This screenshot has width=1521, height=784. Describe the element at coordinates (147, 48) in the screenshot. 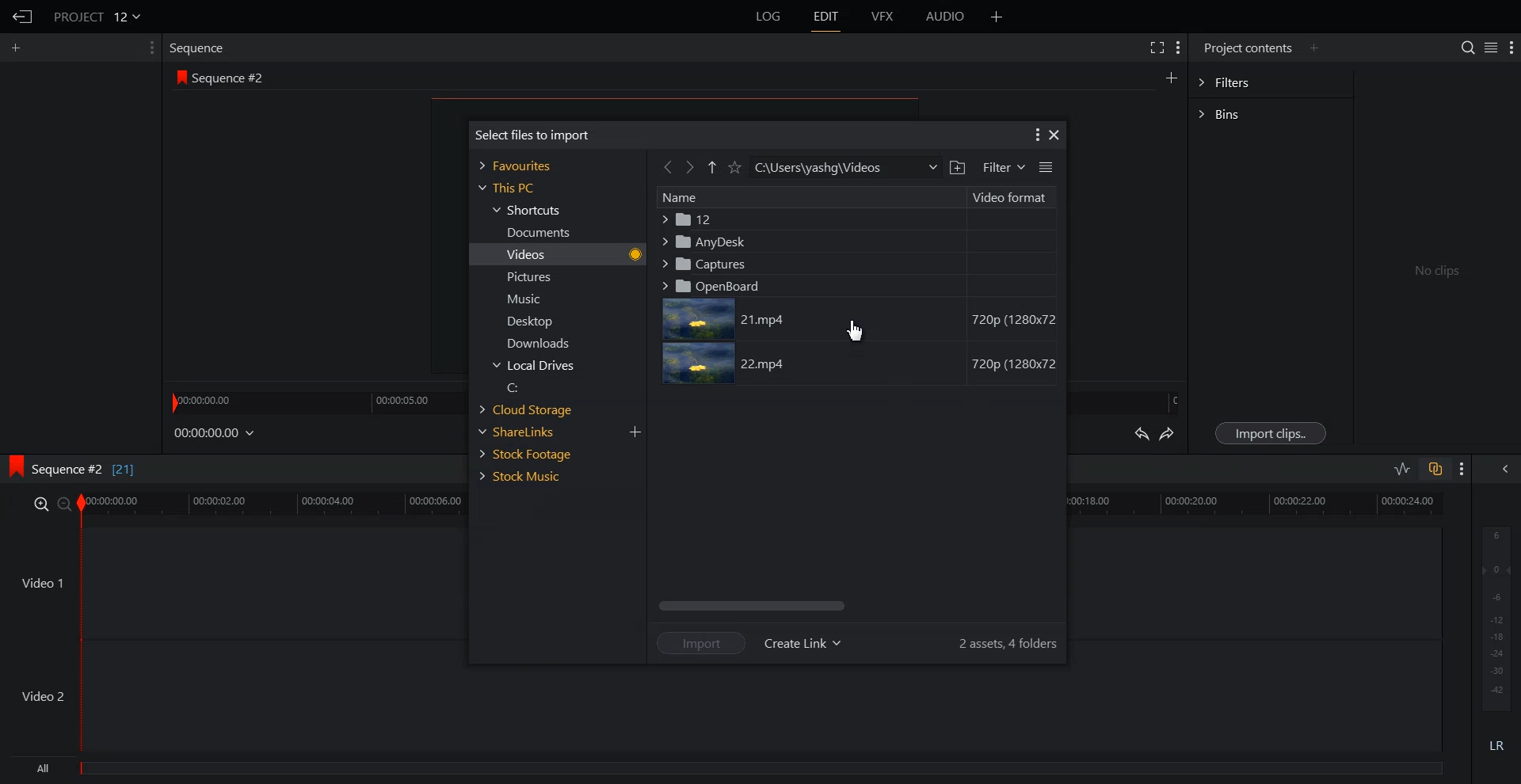

I see `Show Setting Menu` at that location.